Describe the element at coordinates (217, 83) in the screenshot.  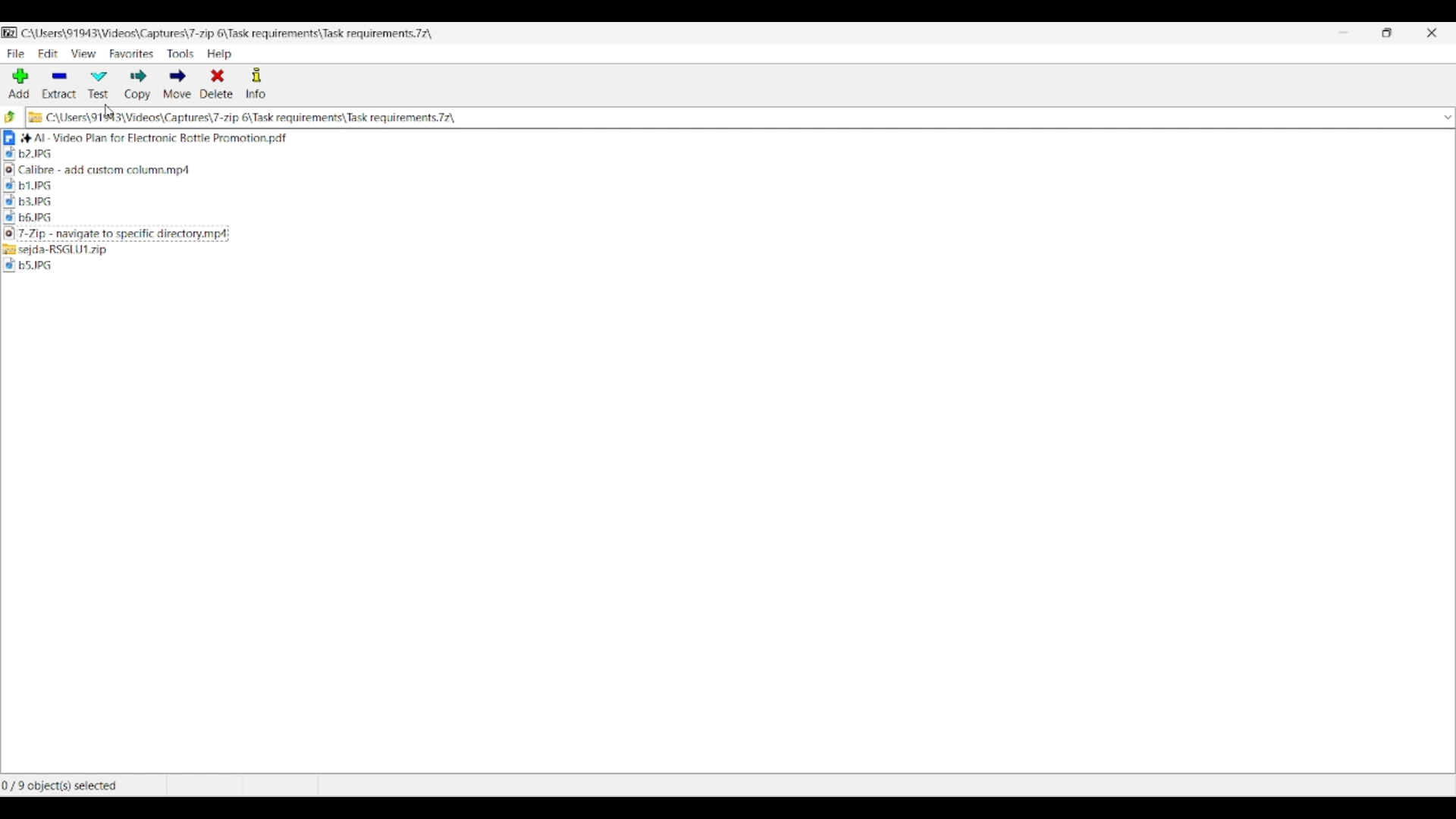
I see `Delete` at that location.